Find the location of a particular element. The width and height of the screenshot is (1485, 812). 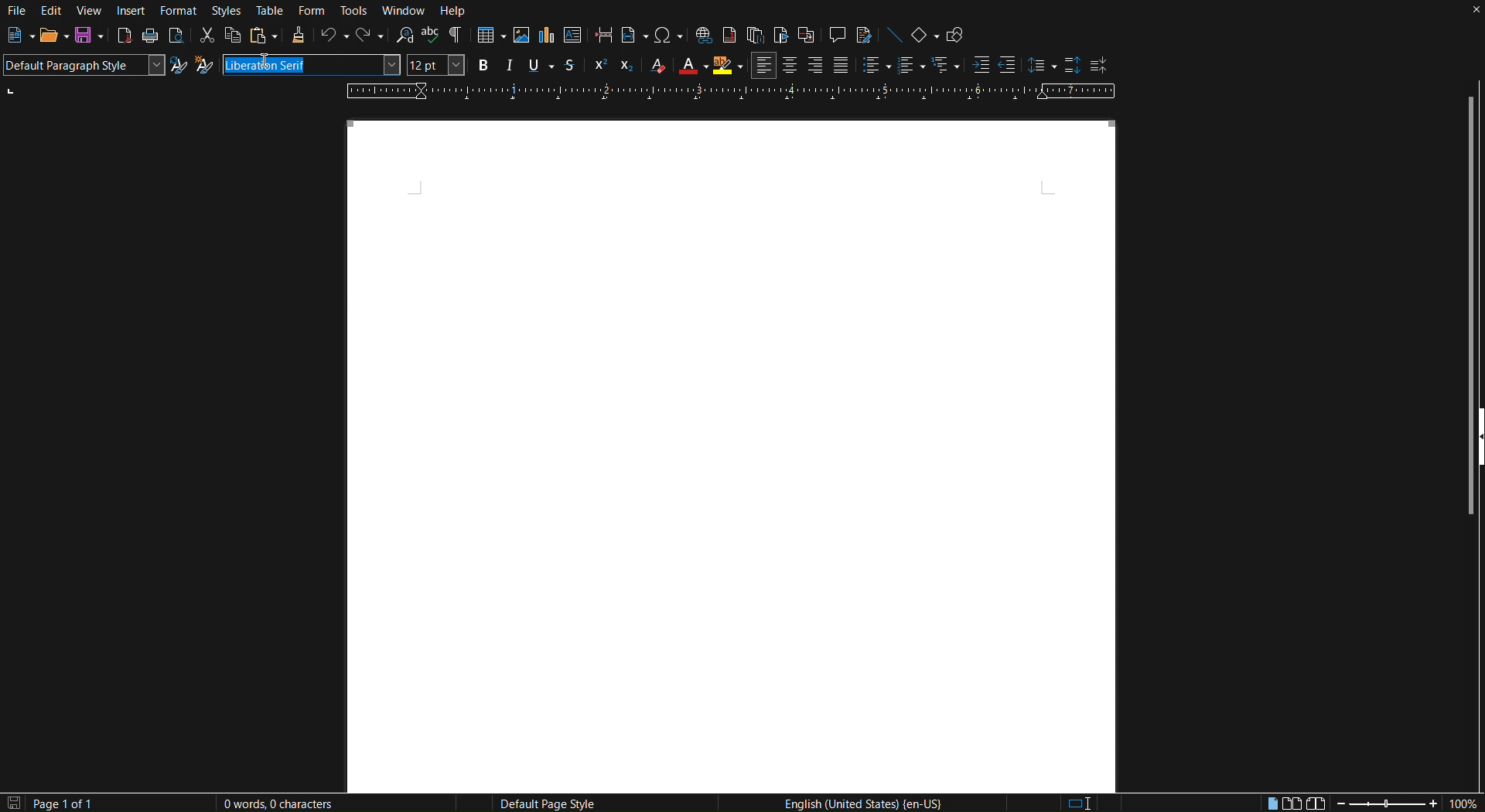

Decrease Paragraph Spacing is located at coordinates (1100, 66).